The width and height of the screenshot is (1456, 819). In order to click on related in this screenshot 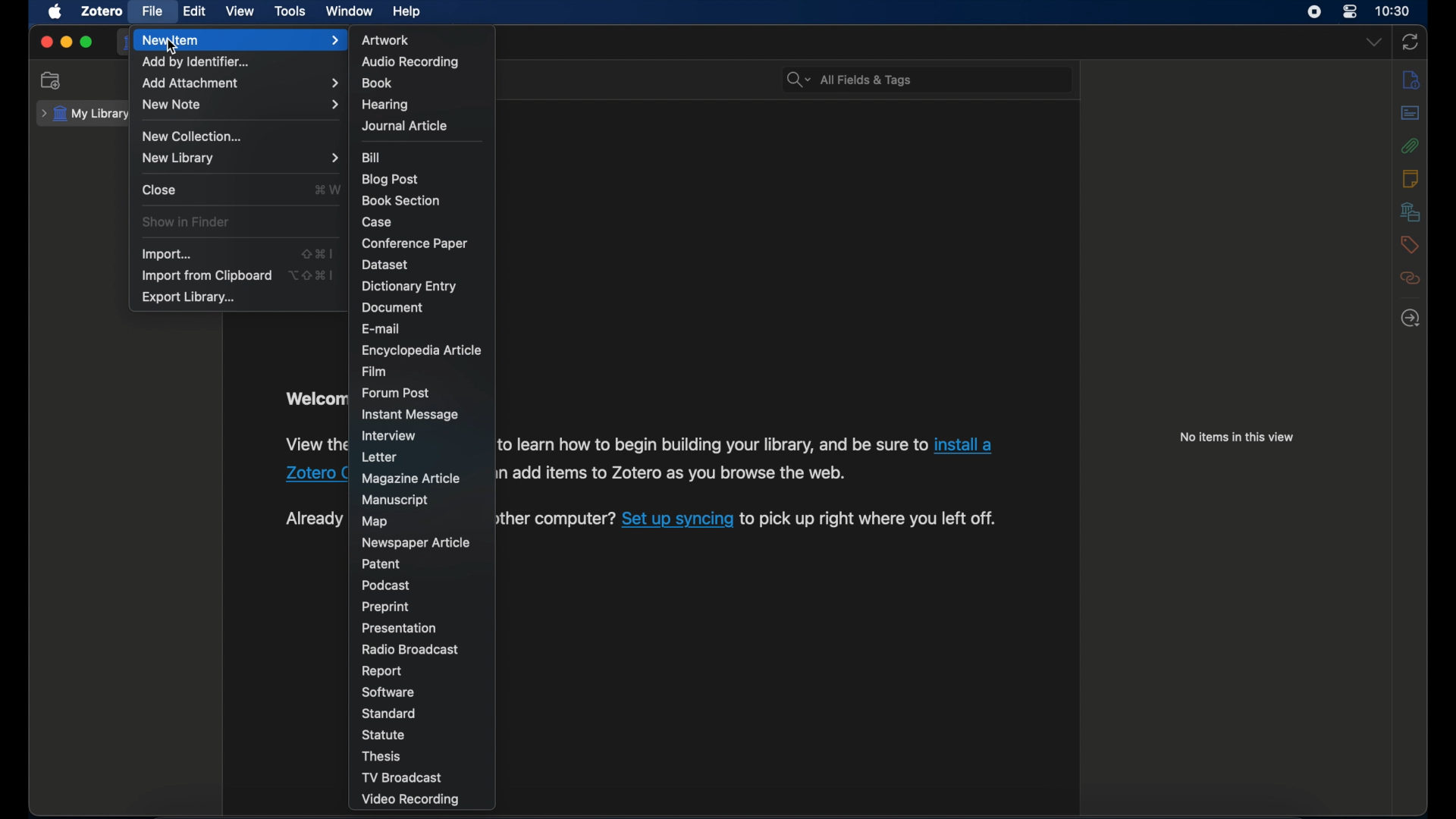, I will do `click(1410, 278)`.